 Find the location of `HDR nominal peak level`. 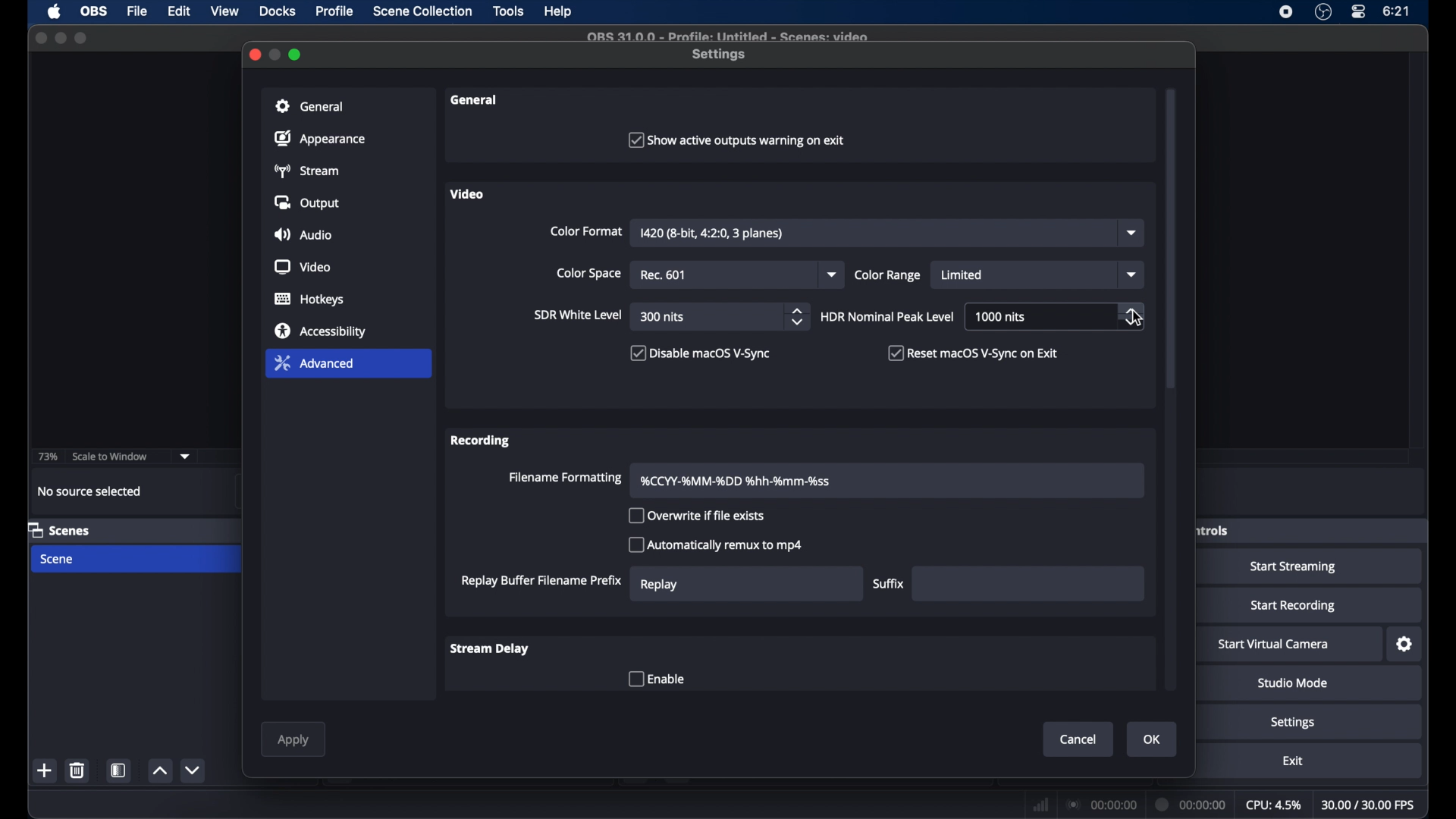

HDR nominal peak level is located at coordinates (887, 317).